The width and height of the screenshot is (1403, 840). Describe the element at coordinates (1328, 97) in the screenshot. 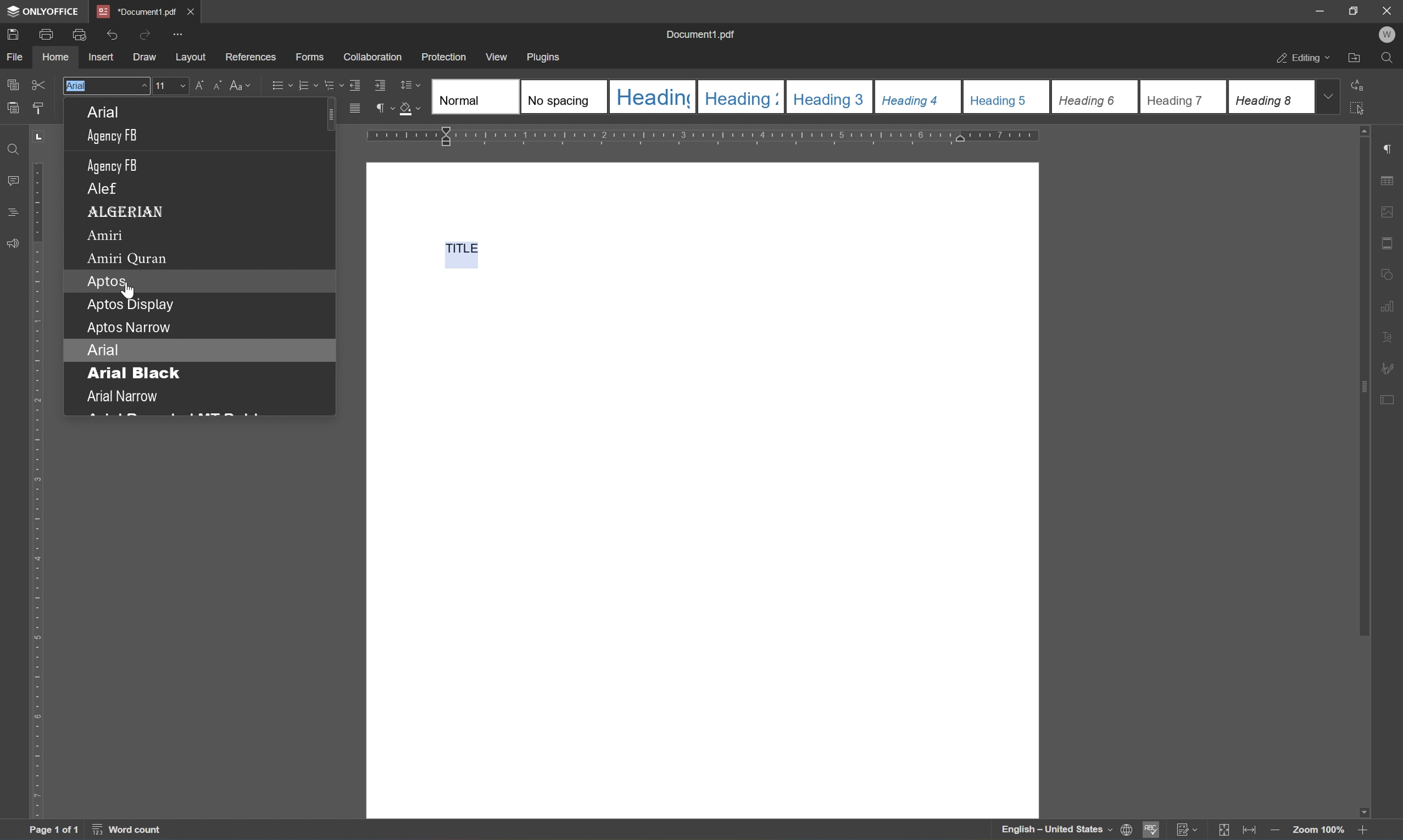

I see `drop down` at that location.